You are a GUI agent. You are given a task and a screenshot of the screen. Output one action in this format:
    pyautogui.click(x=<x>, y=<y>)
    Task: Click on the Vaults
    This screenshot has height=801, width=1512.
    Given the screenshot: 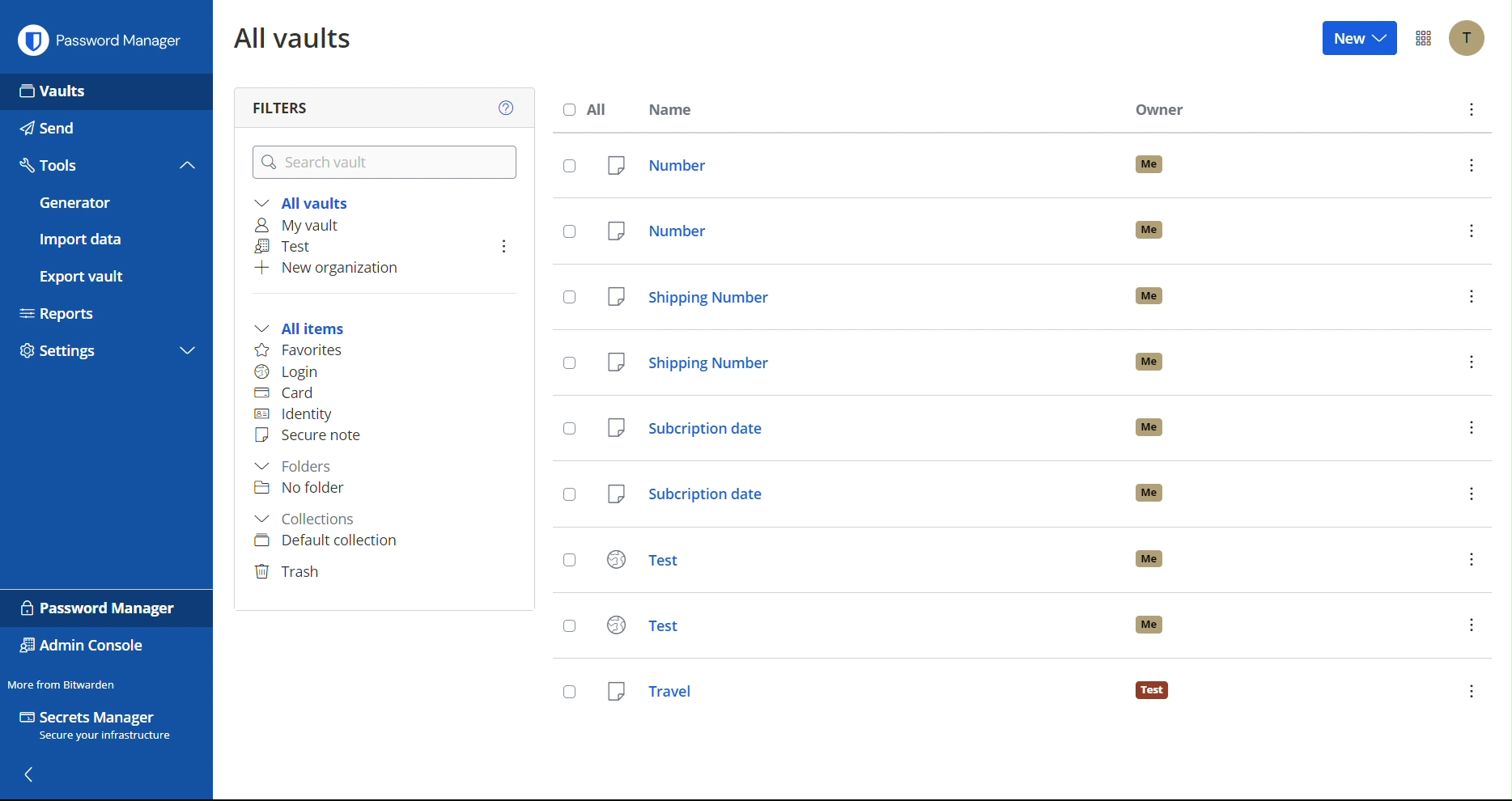 What is the action you would take?
    pyautogui.click(x=107, y=90)
    